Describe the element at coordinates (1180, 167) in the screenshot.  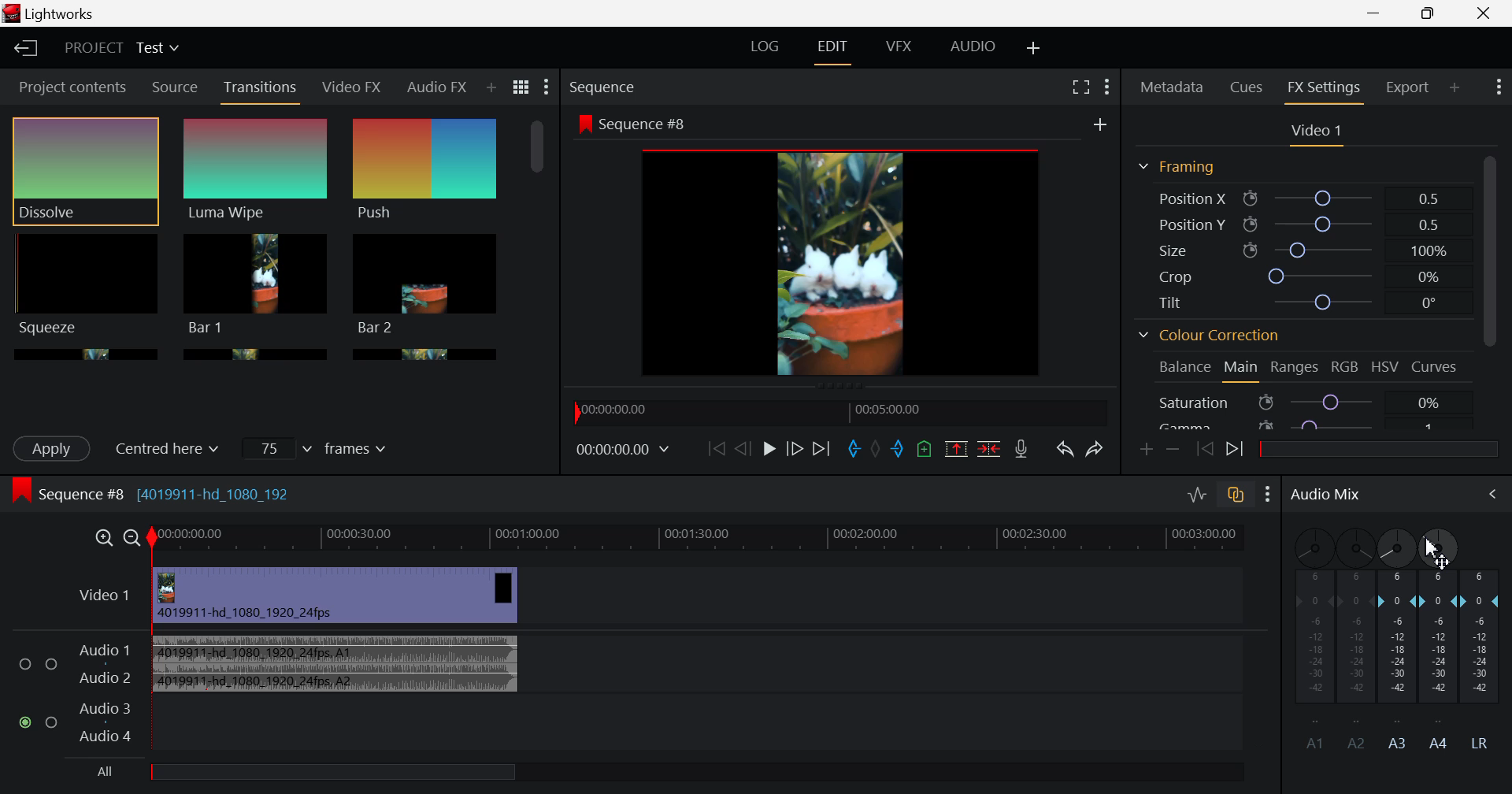
I see `Framing Section` at that location.